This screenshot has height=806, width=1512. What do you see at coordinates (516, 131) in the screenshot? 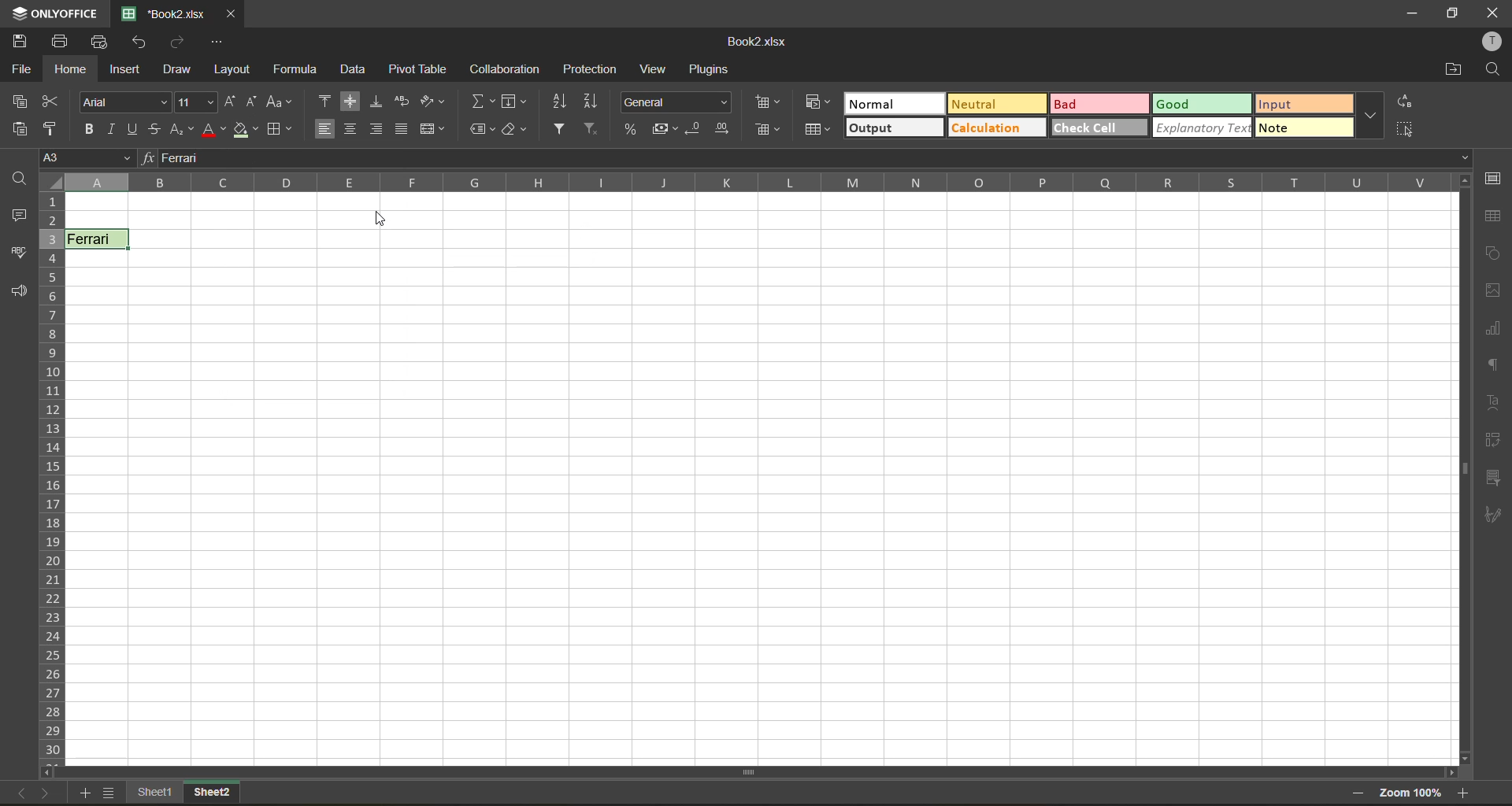
I see `clear` at bounding box center [516, 131].